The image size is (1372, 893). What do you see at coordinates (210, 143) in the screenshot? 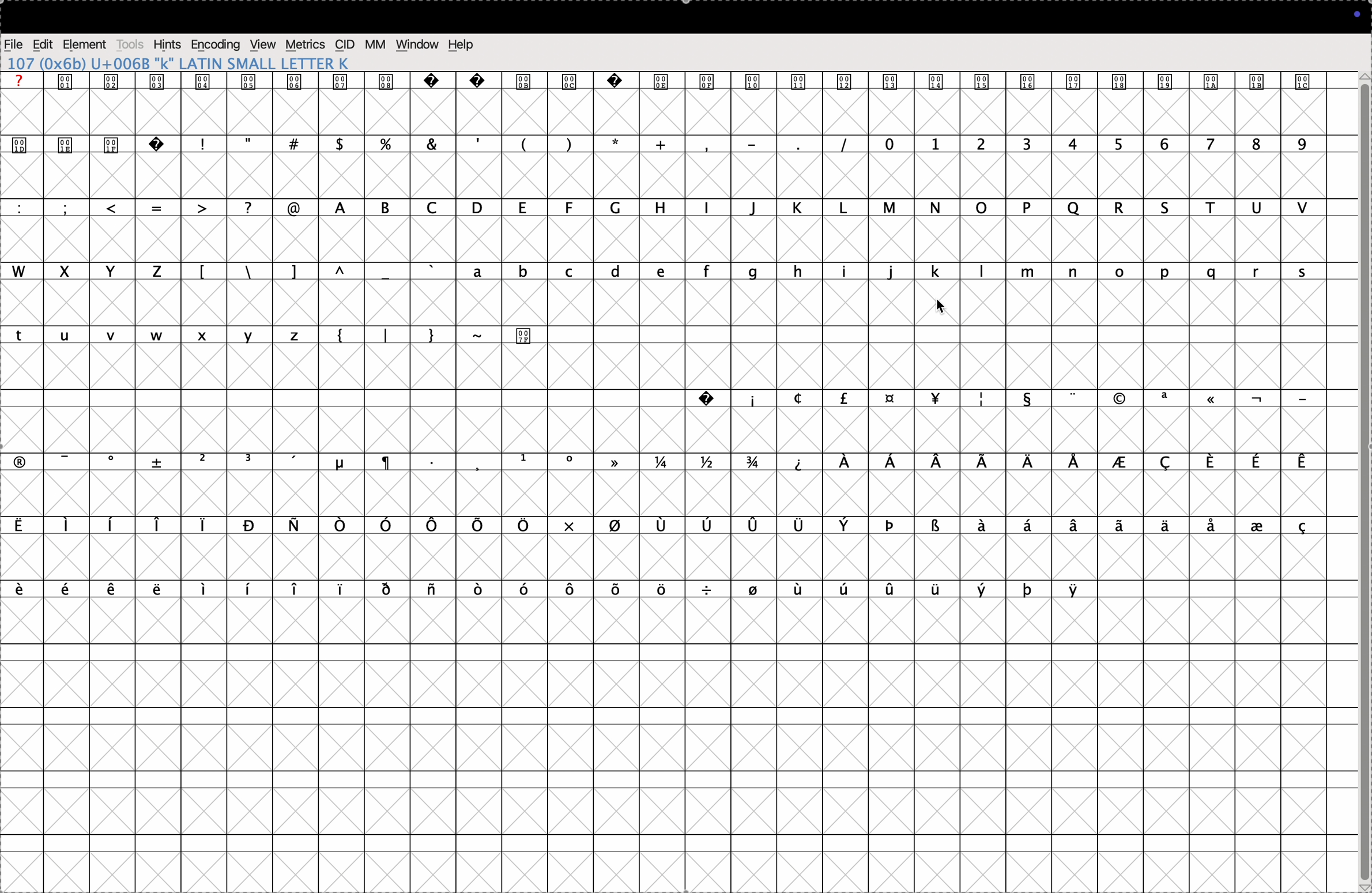
I see `!` at bounding box center [210, 143].